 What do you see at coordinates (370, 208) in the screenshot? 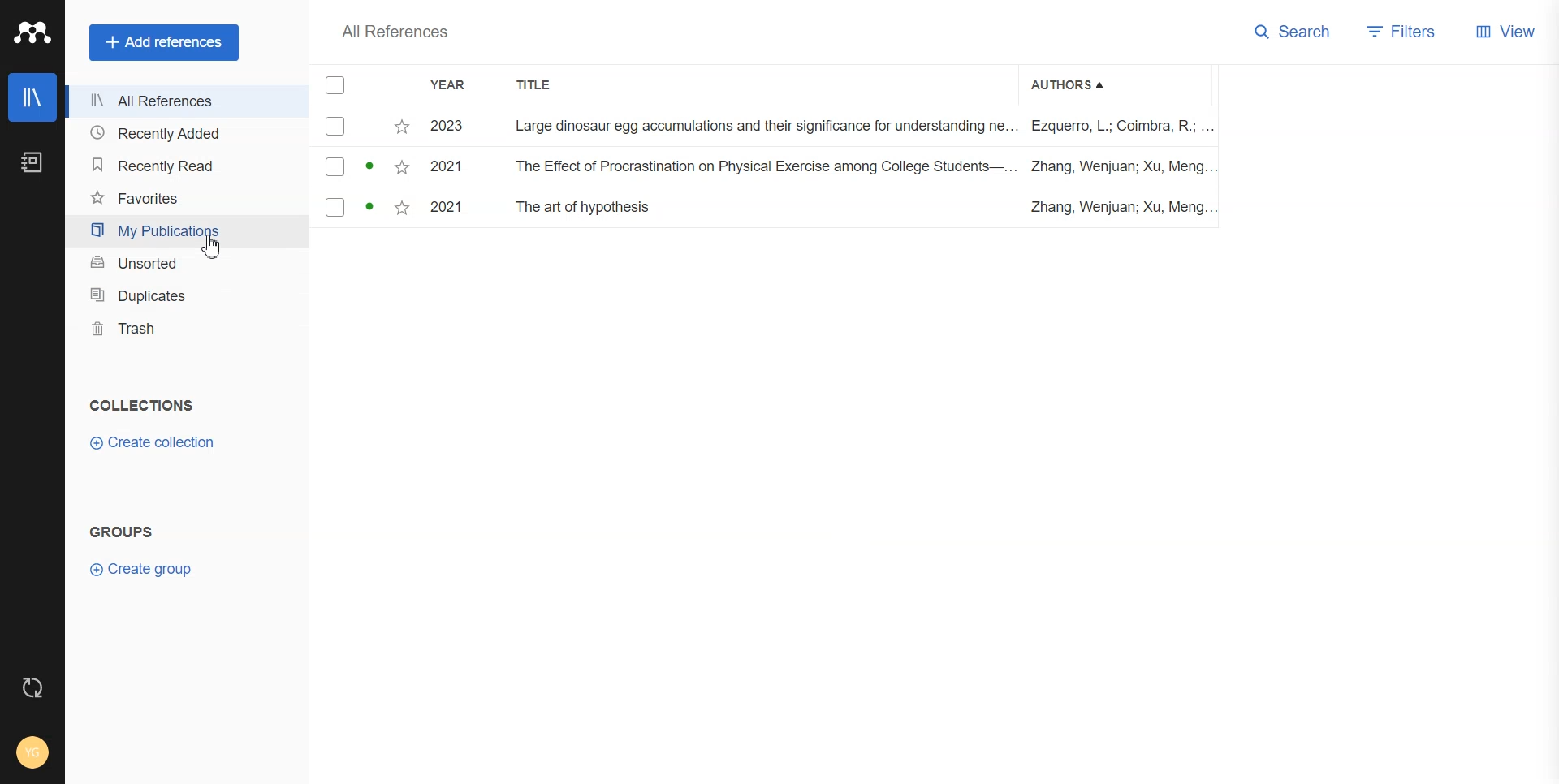
I see `Active dot` at bounding box center [370, 208].